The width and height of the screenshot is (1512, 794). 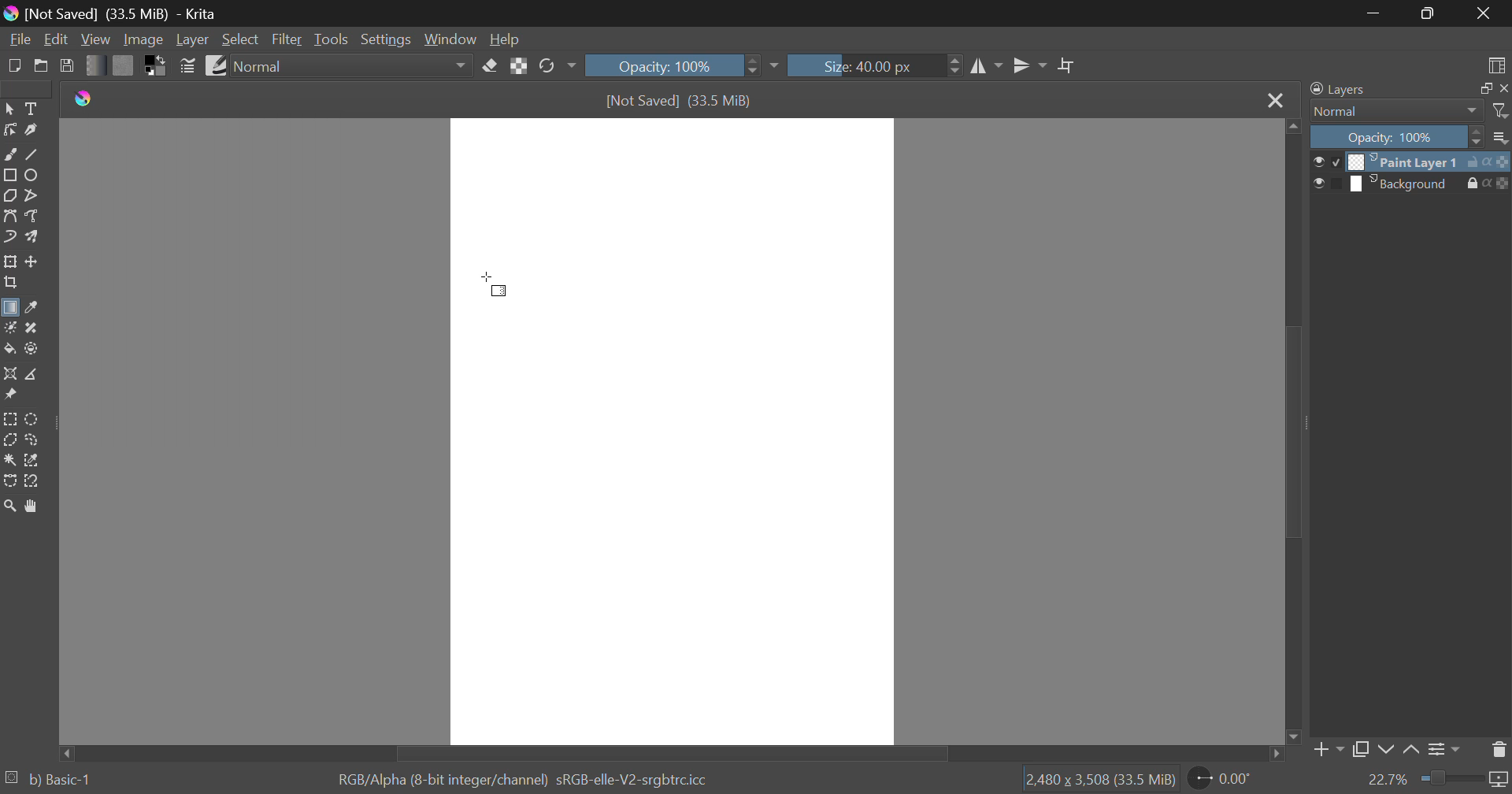 What do you see at coordinates (384, 39) in the screenshot?
I see `Settings` at bounding box center [384, 39].